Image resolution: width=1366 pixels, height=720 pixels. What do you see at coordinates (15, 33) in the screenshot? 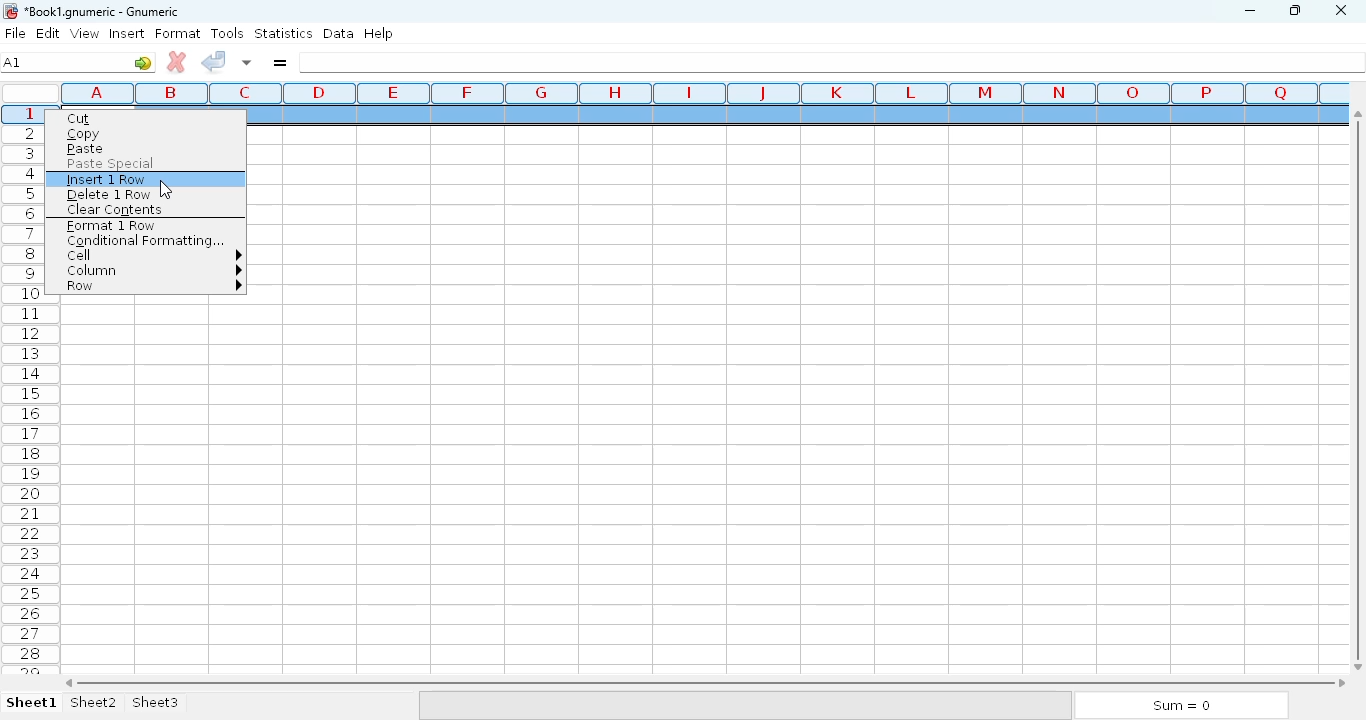
I see `file` at bounding box center [15, 33].